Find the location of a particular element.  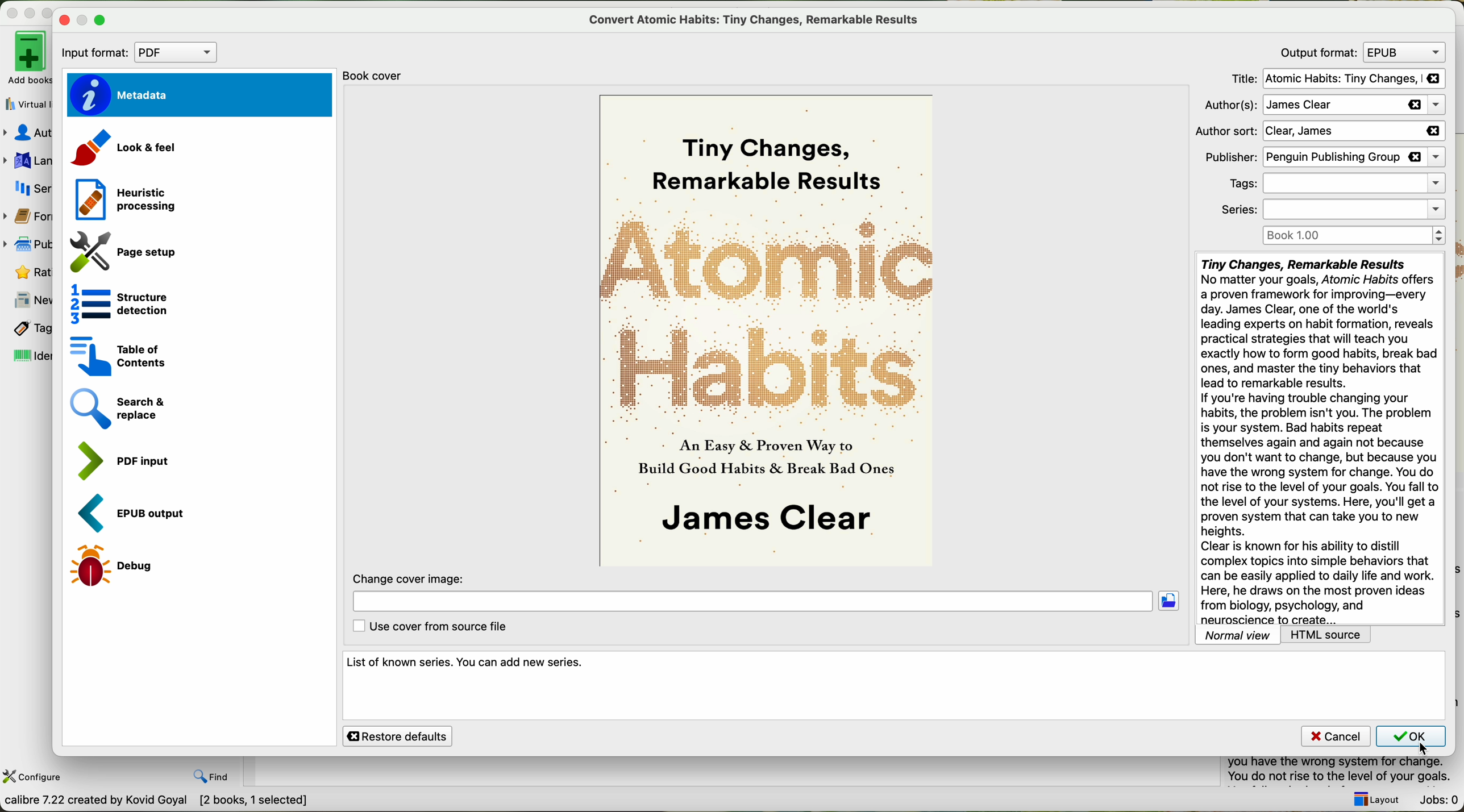

metadata is located at coordinates (198, 95).